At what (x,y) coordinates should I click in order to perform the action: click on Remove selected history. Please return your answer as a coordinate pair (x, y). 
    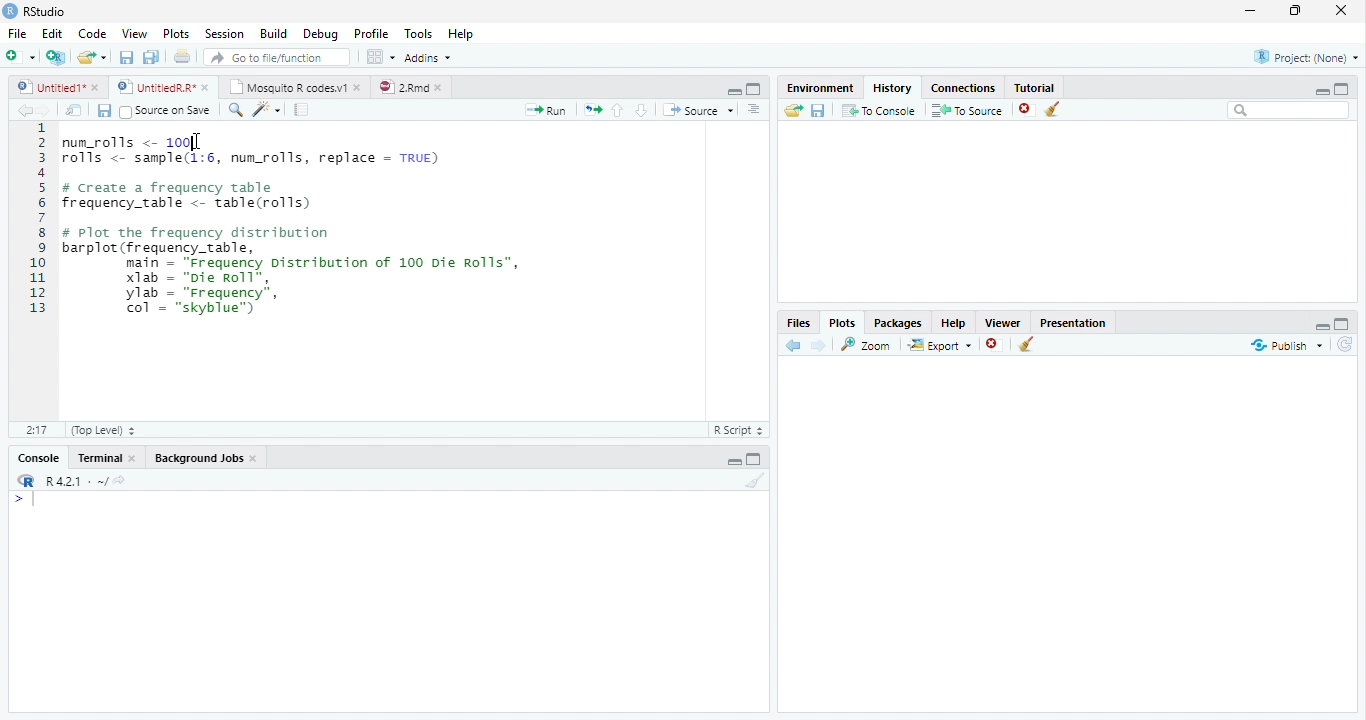
    Looking at the image, I should click on (1025, 109).